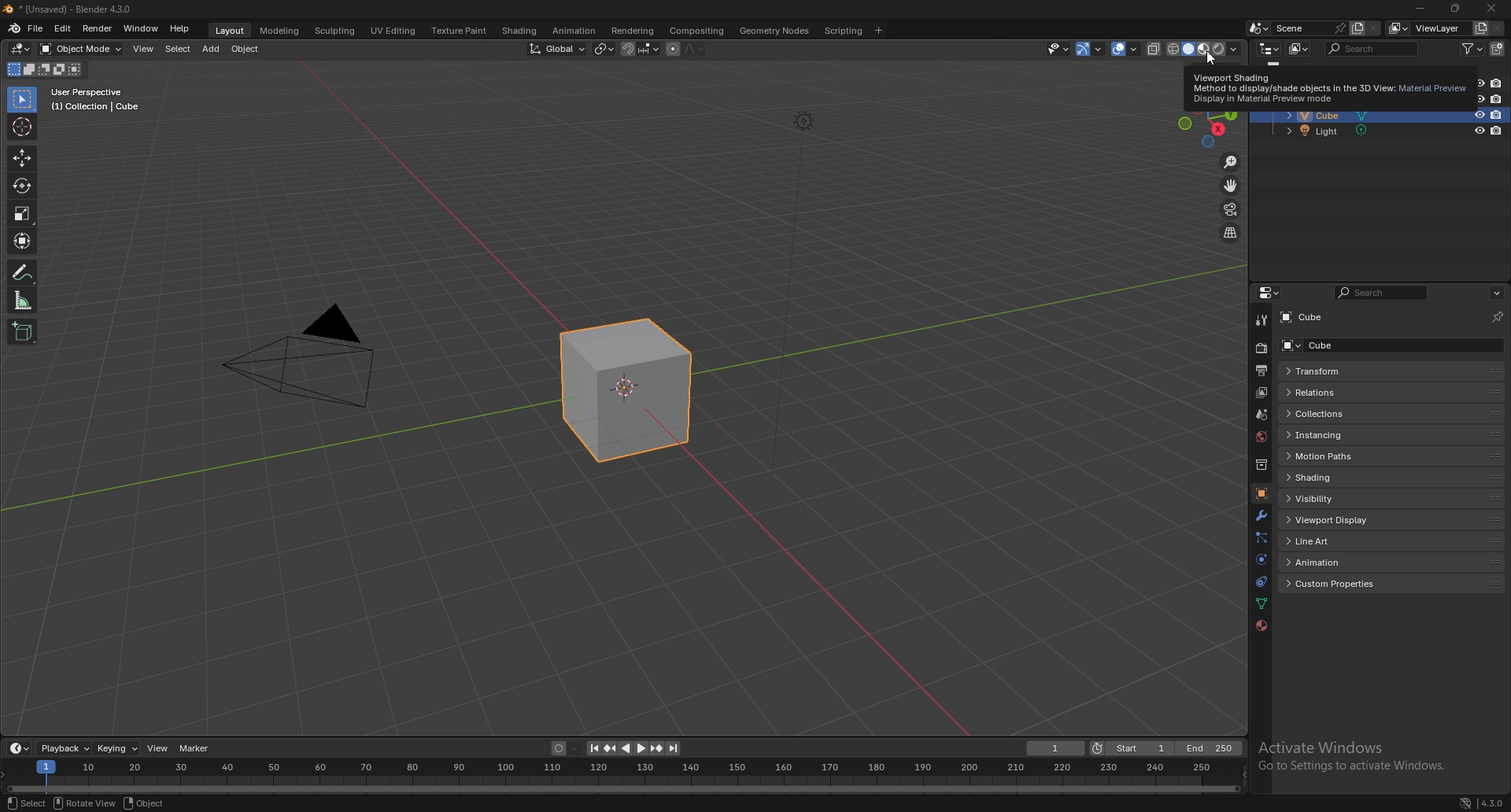 This screenshot has width=1511, height=812. What do you see at coordinates (118, 749) in the screenshot?
I see `keying` at bounding box center [118, 749].